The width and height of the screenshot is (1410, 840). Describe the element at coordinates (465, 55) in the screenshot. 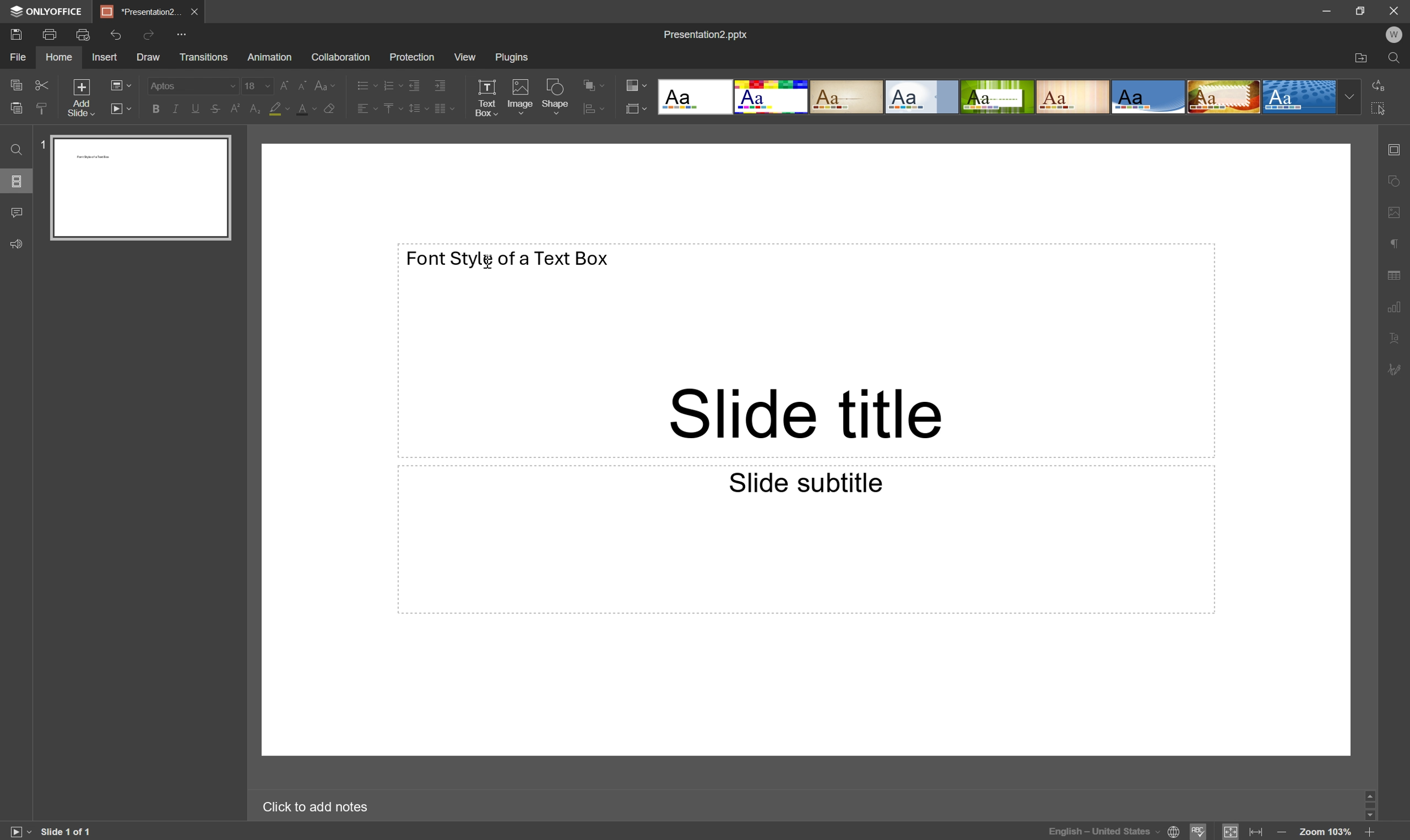

I see `View` at that location.